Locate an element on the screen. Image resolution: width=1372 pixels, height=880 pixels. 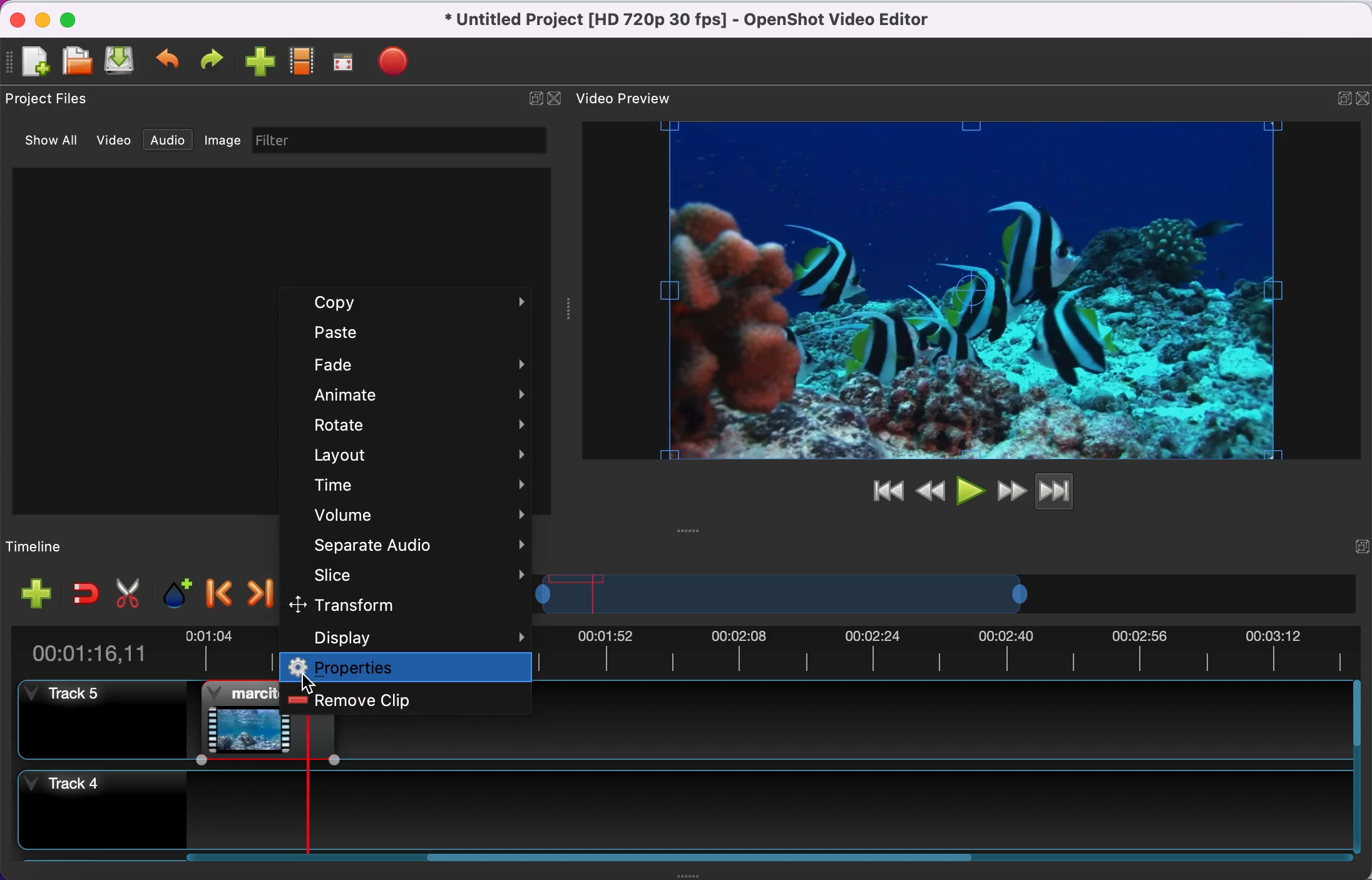
close is located at coordinates (555, 100).